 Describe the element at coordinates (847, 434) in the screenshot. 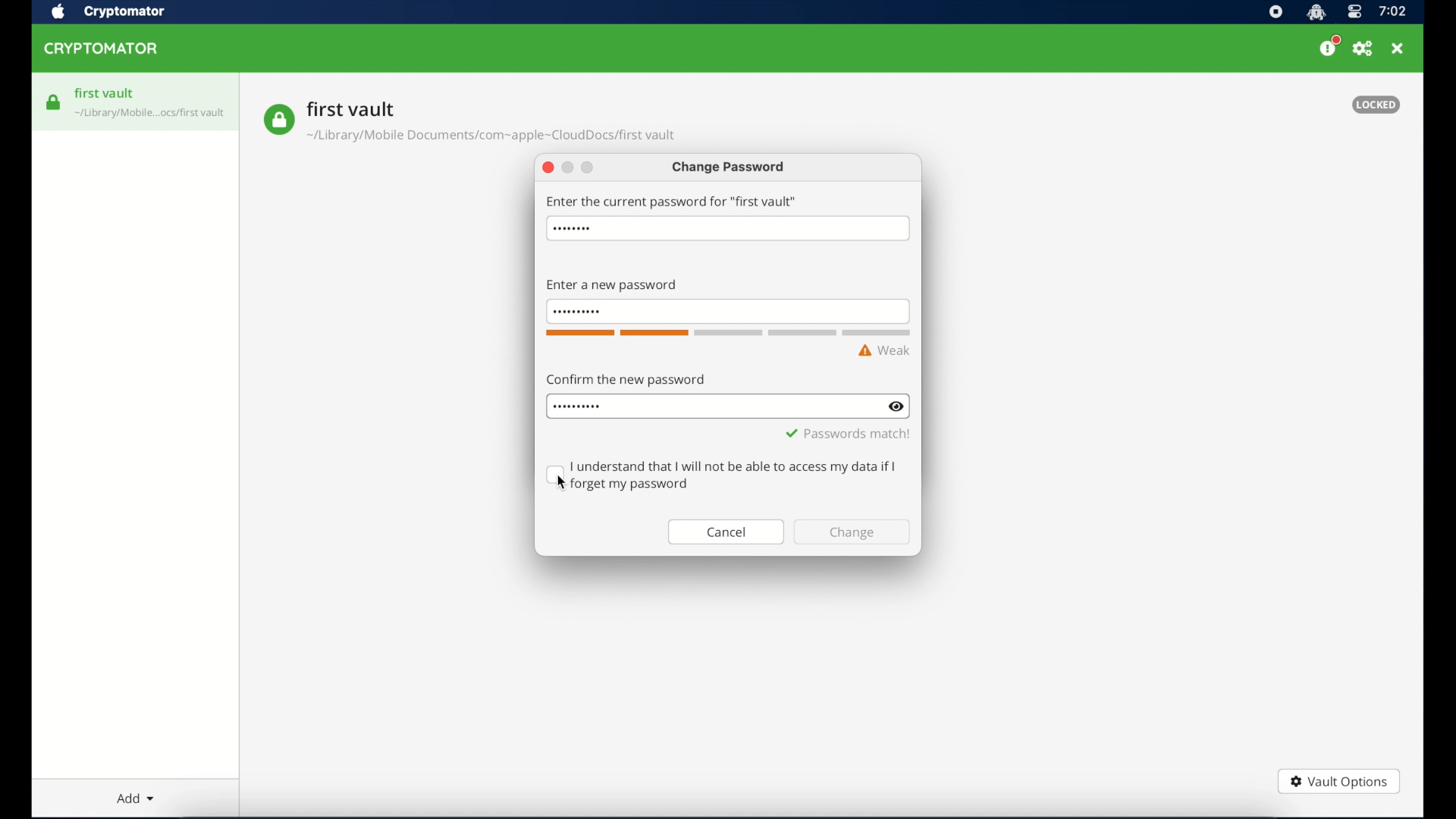

I see `passwords match` at that location.